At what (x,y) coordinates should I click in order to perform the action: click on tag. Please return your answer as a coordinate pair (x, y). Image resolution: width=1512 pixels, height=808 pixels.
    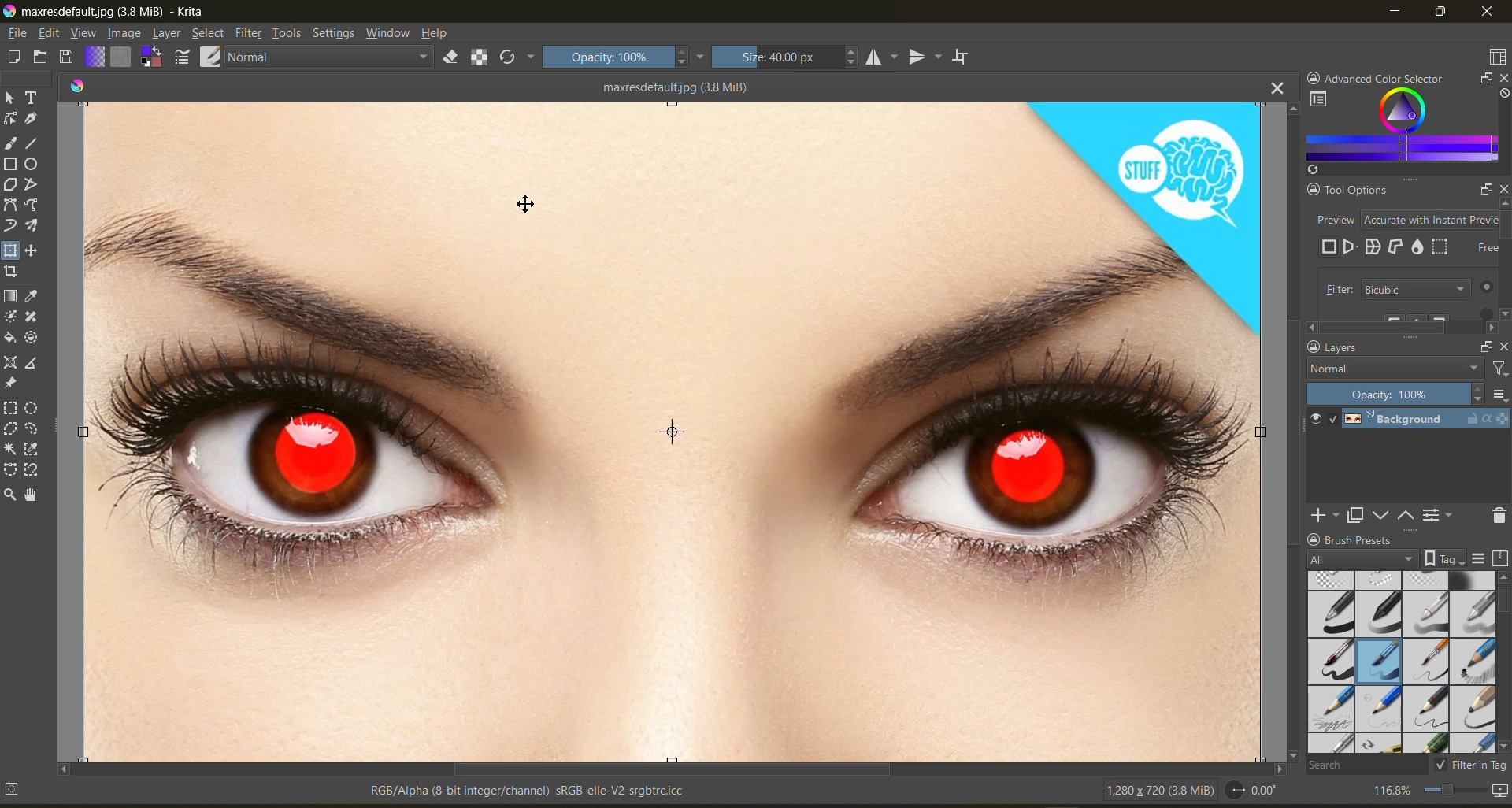
    Looking at the image, I should click on (1361, 558).